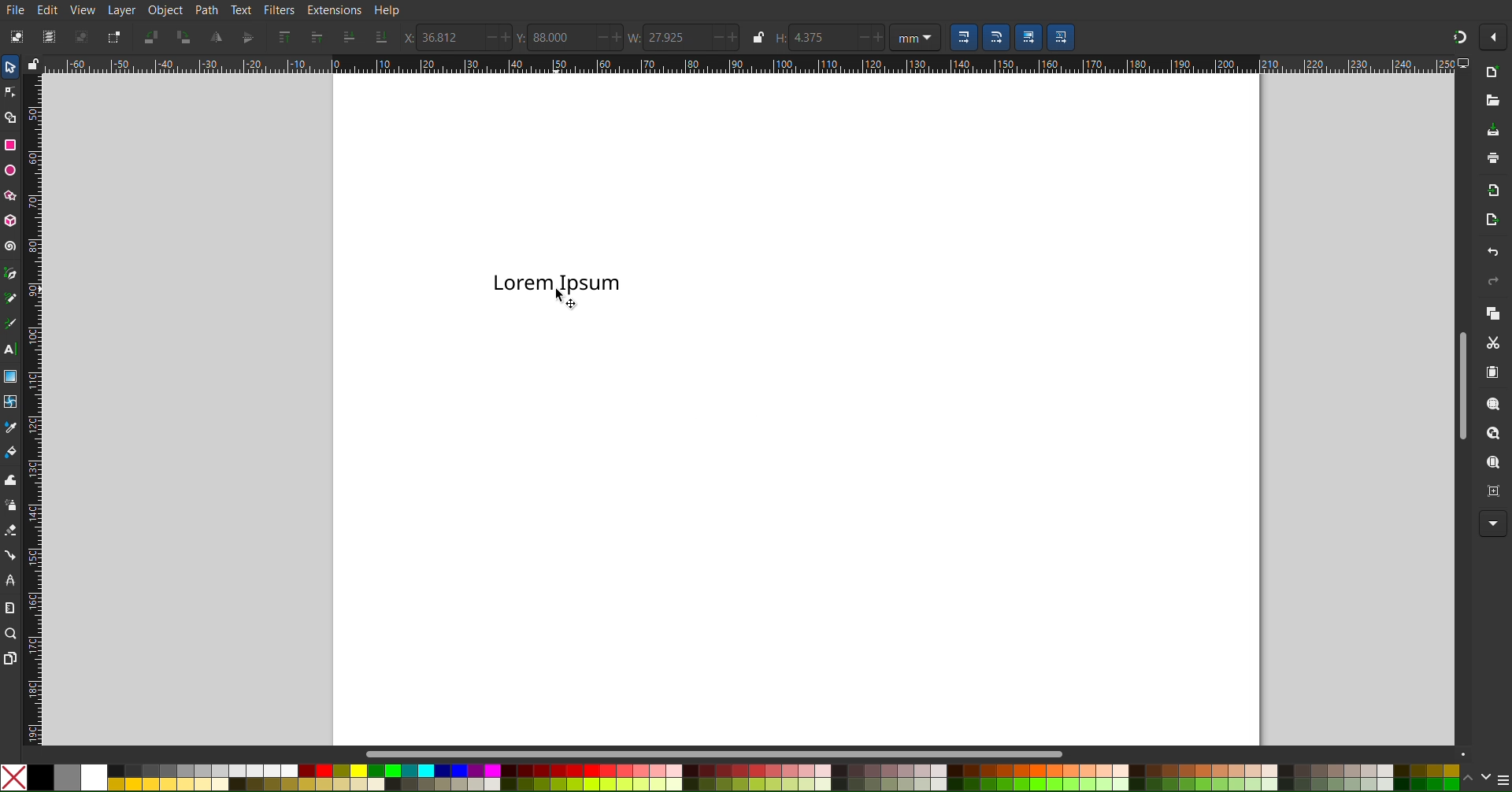 The image size is (1512, 792). What do you see at coordinates (963, 37) in the screenshot?
I see `Scaling Objects settings` at bounding box center [963, 37].